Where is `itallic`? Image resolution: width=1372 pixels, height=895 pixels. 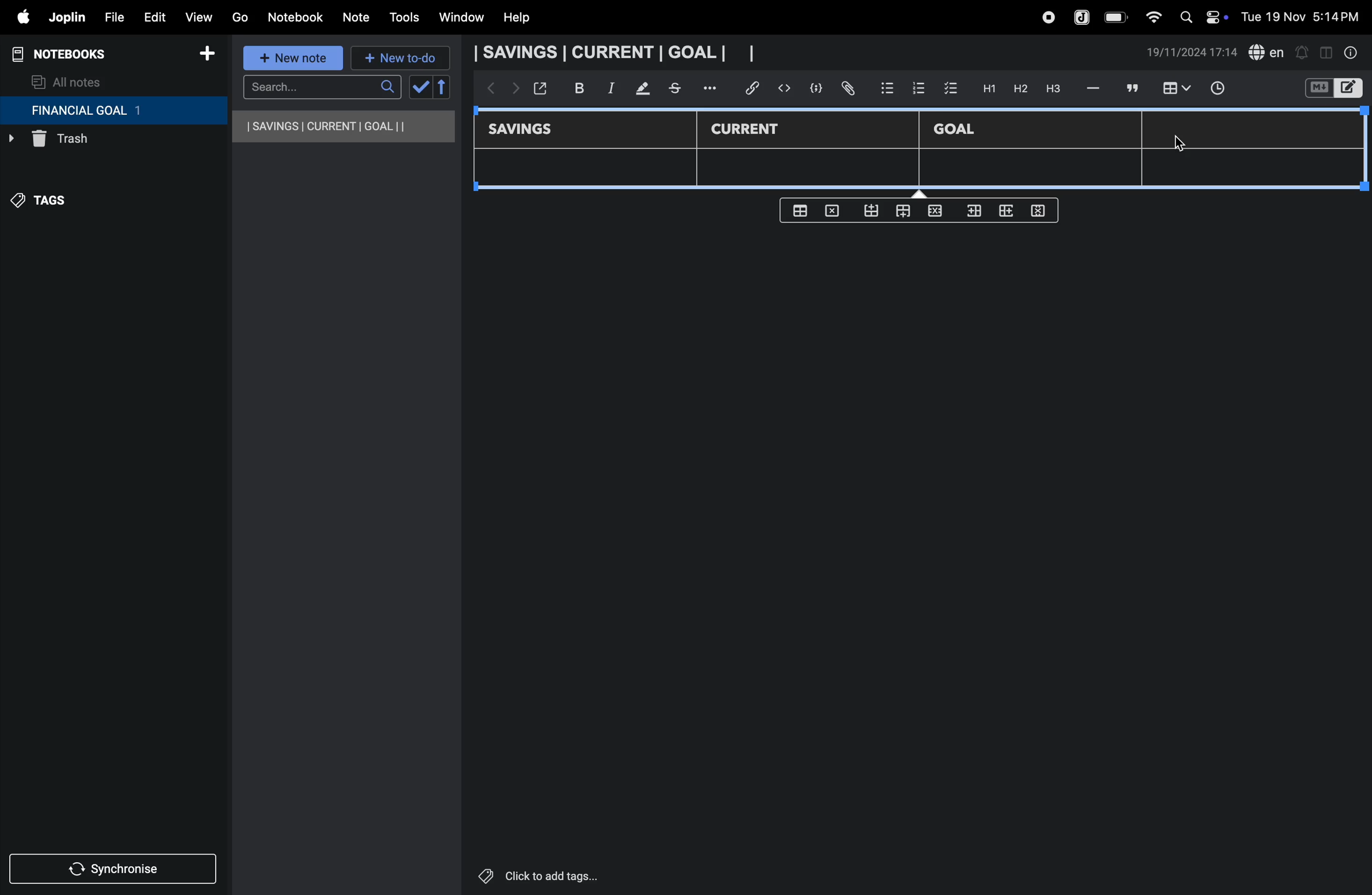 itallic is located at coordinates (611, 90).